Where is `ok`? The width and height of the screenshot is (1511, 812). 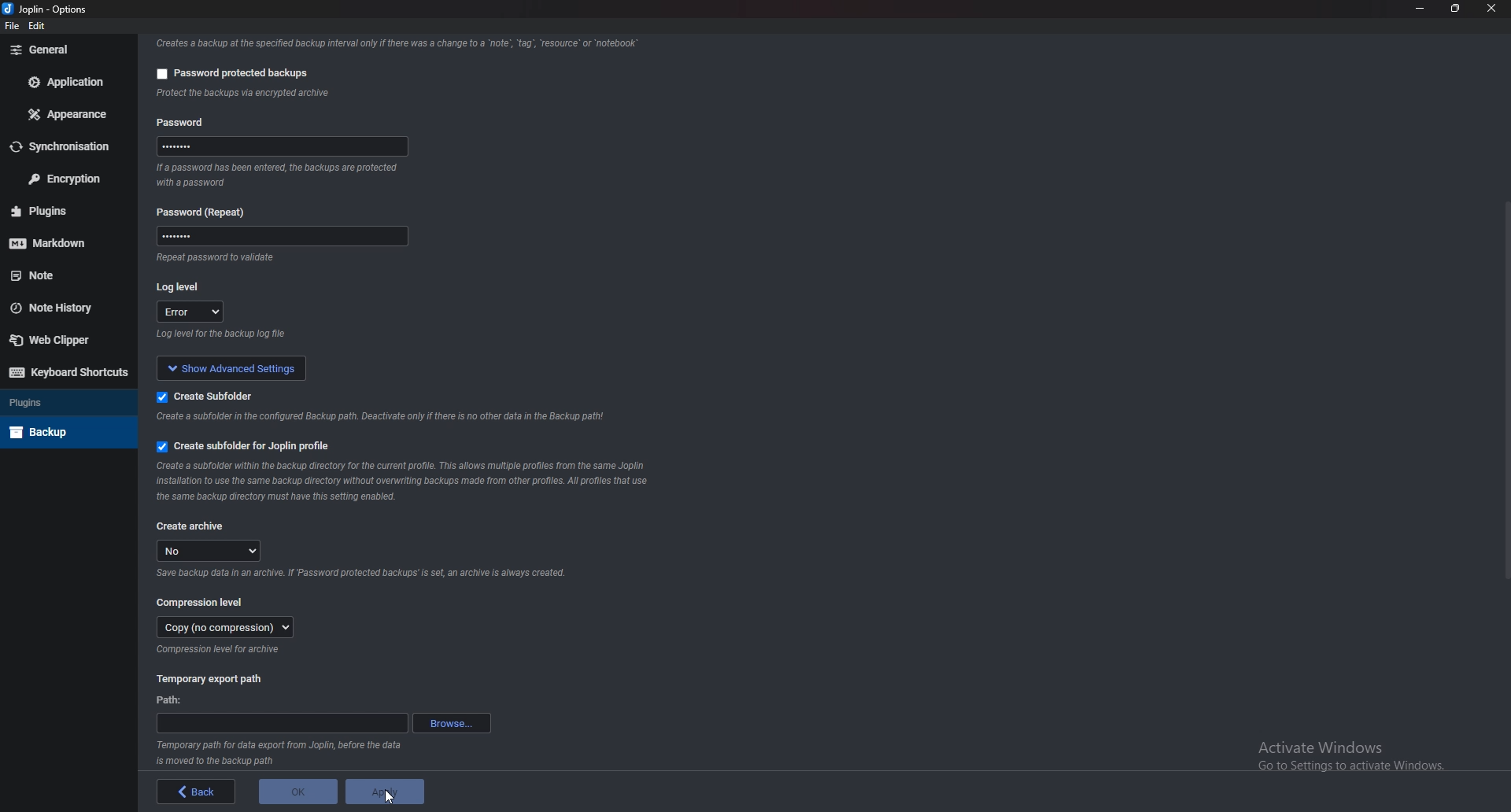 ok is located at coordinates (298, 792).